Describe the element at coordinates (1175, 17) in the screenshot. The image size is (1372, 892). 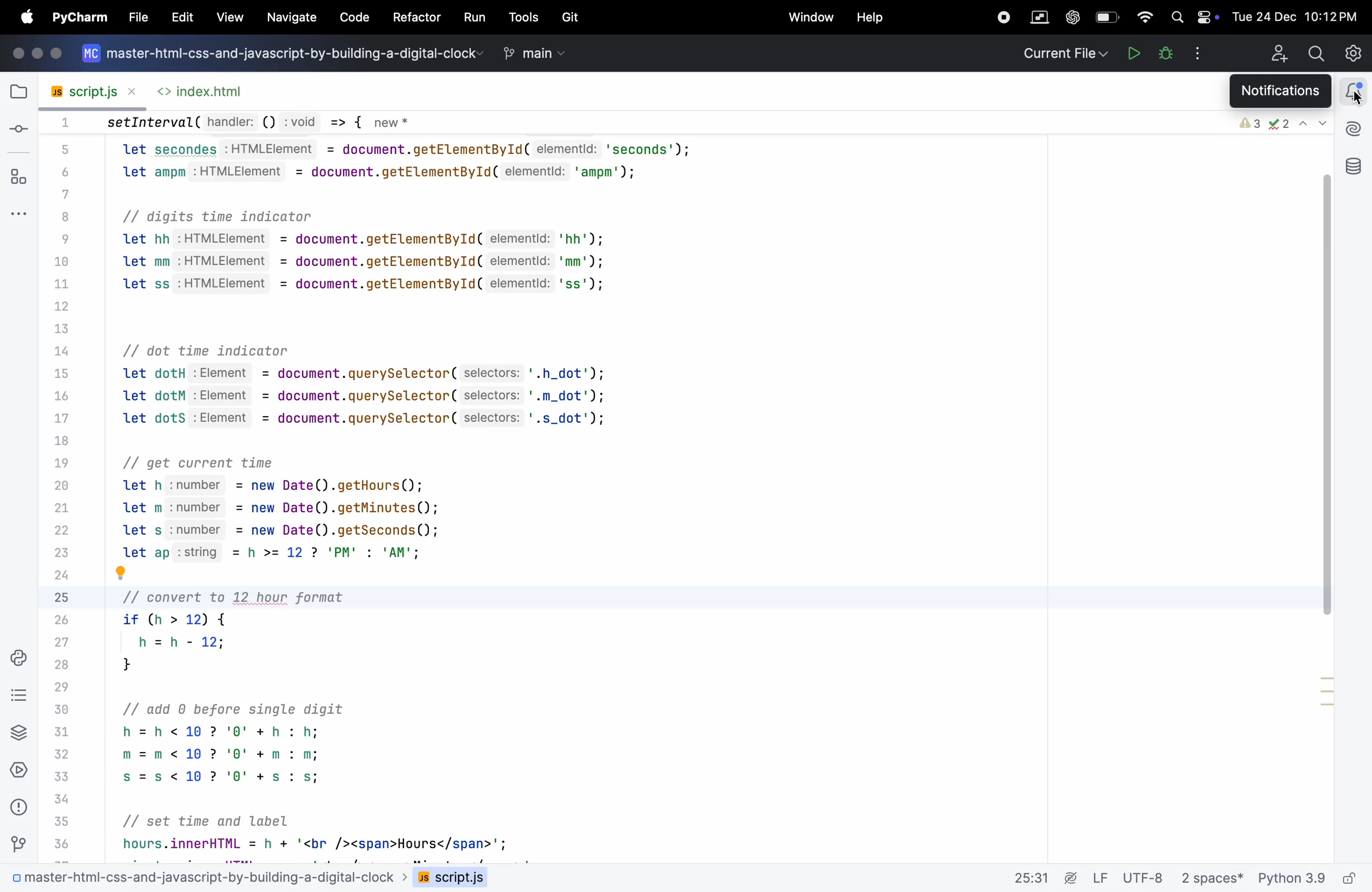
I see `search` at that location.